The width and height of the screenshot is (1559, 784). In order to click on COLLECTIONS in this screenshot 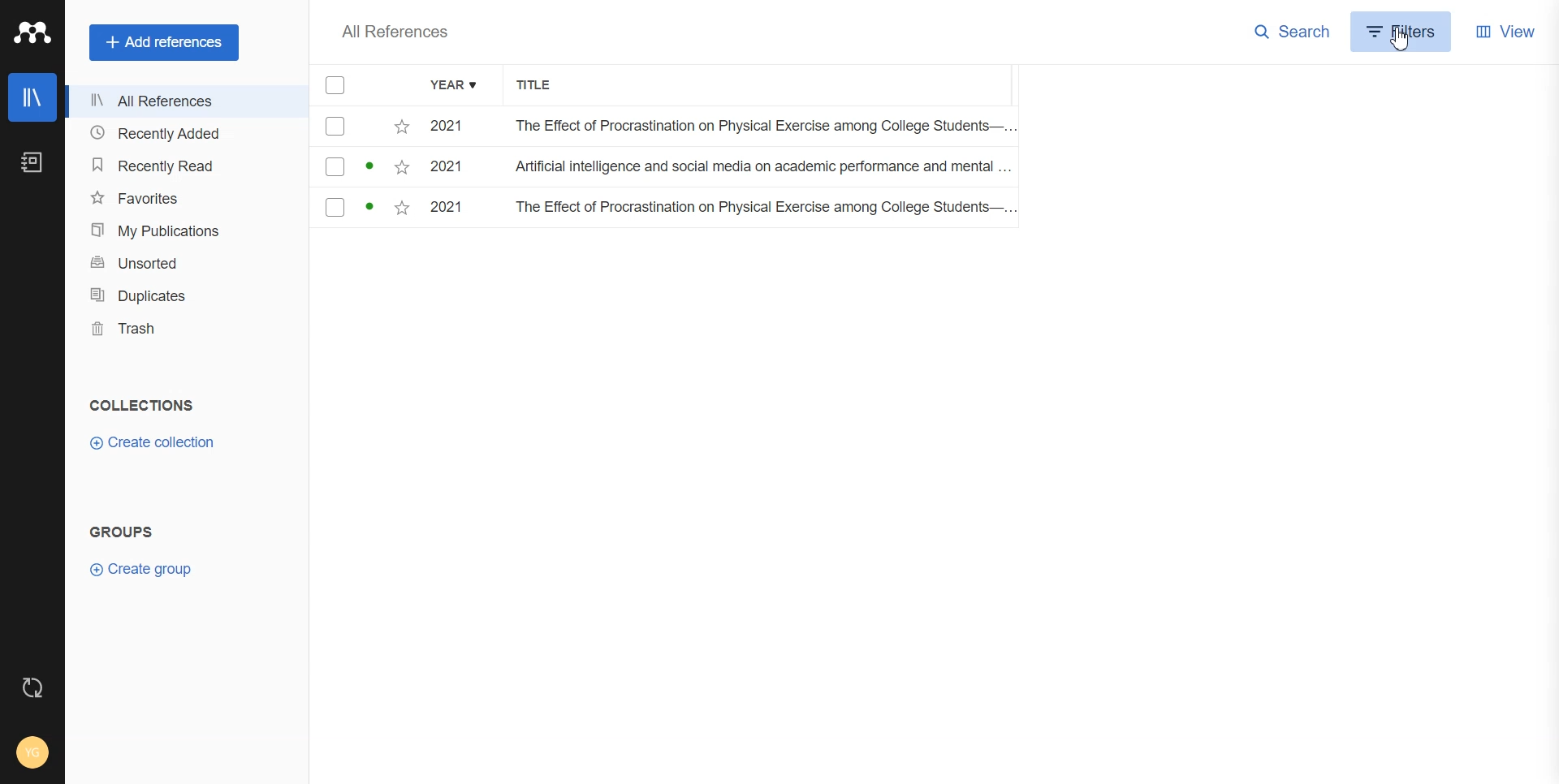, I will do `click(145, 405)`.